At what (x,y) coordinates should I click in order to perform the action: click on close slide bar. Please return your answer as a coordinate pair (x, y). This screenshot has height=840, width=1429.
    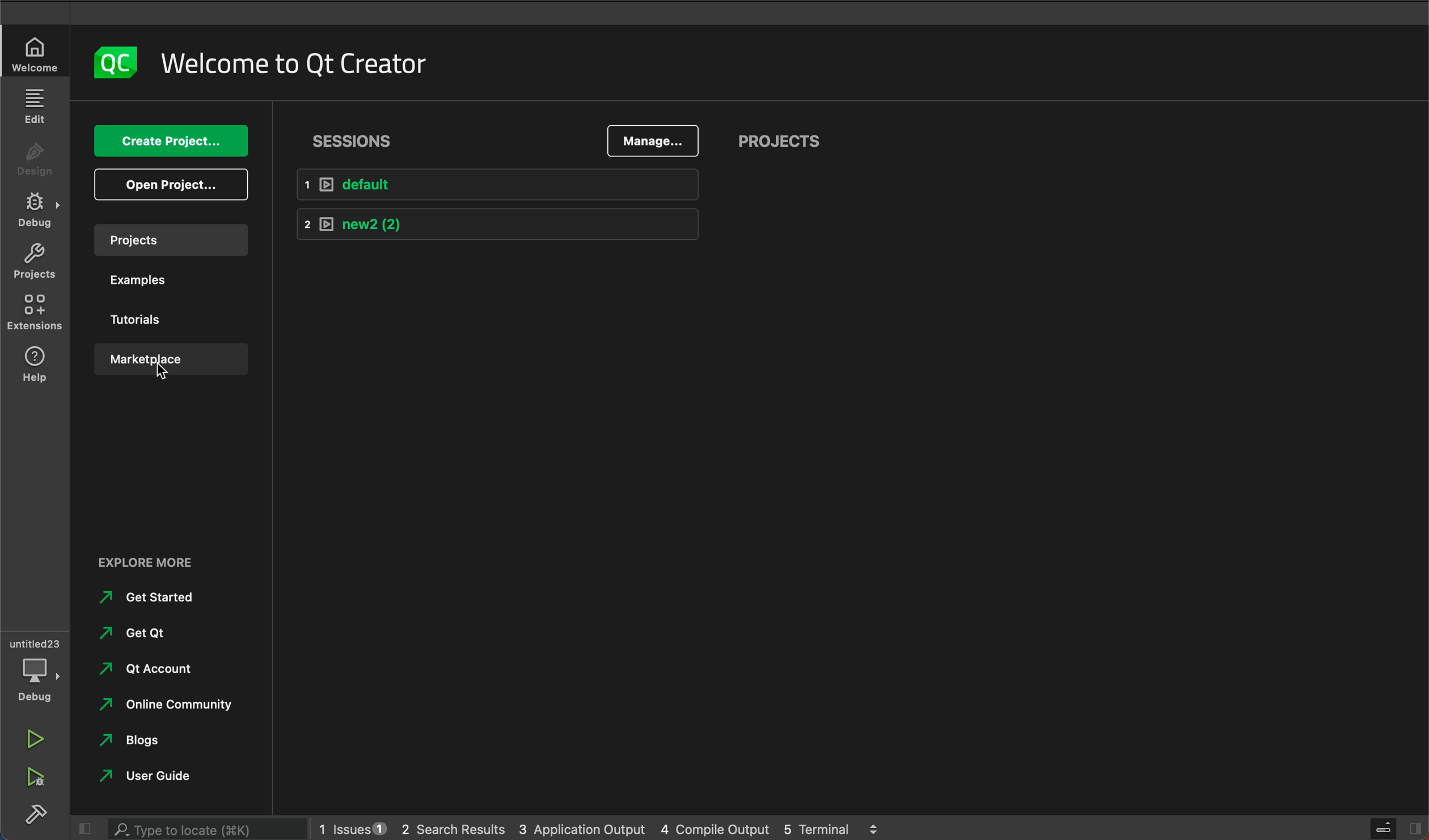
    Looking at the image, I should click on (1396, 829).